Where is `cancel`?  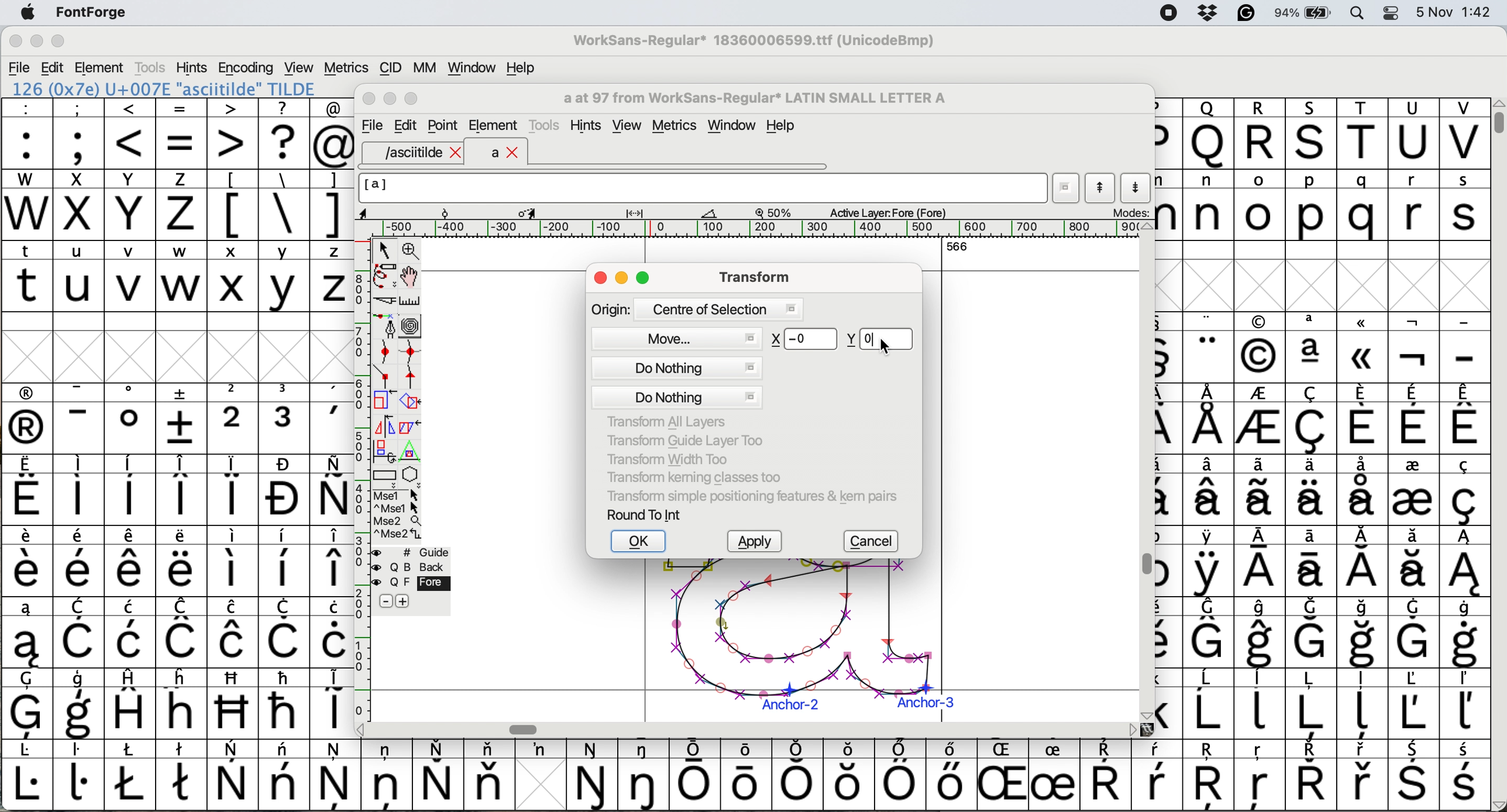 cancel is located at coordinates (875, 542).